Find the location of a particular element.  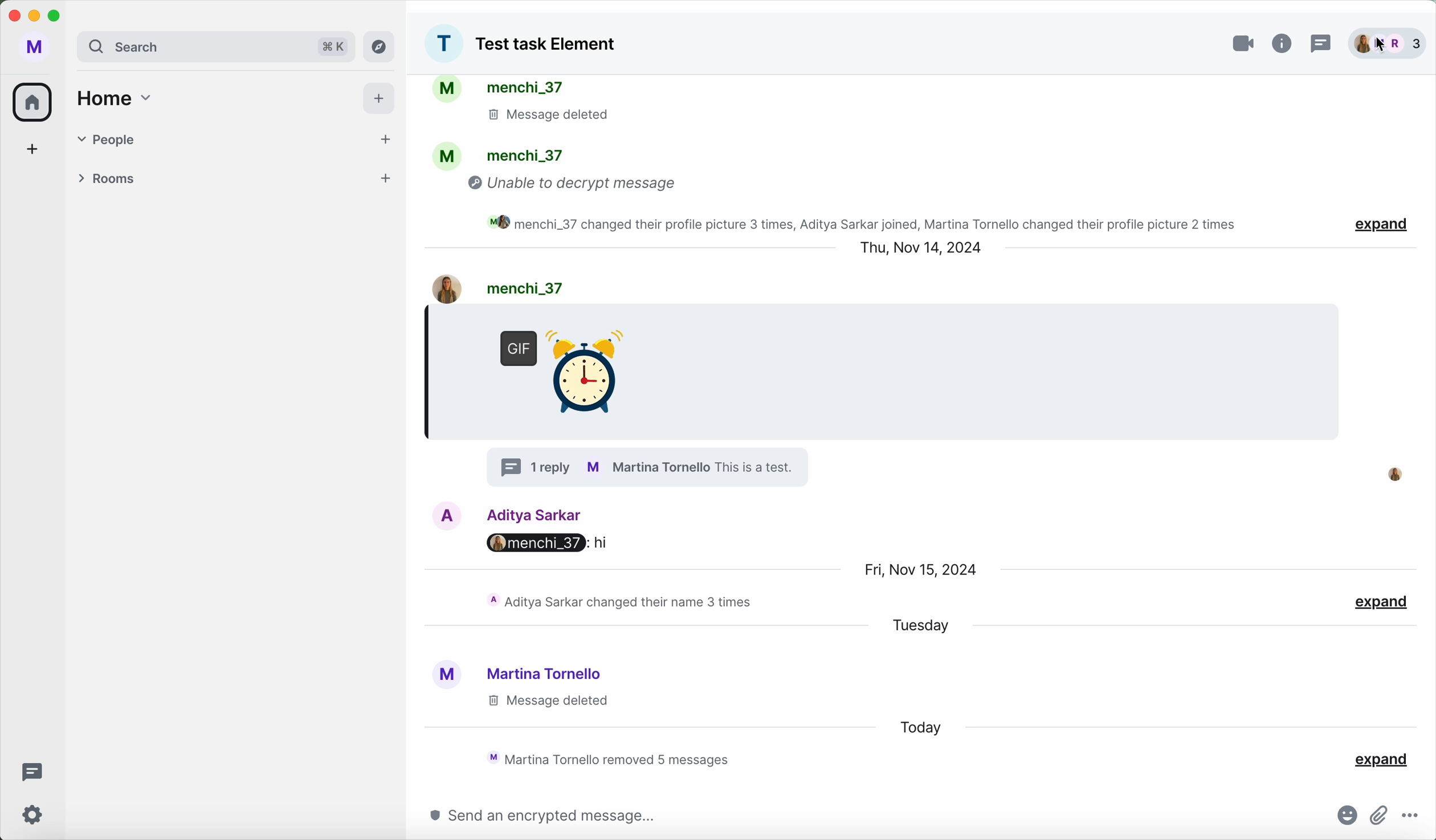

activity chat is located at coordinates (614, 758).